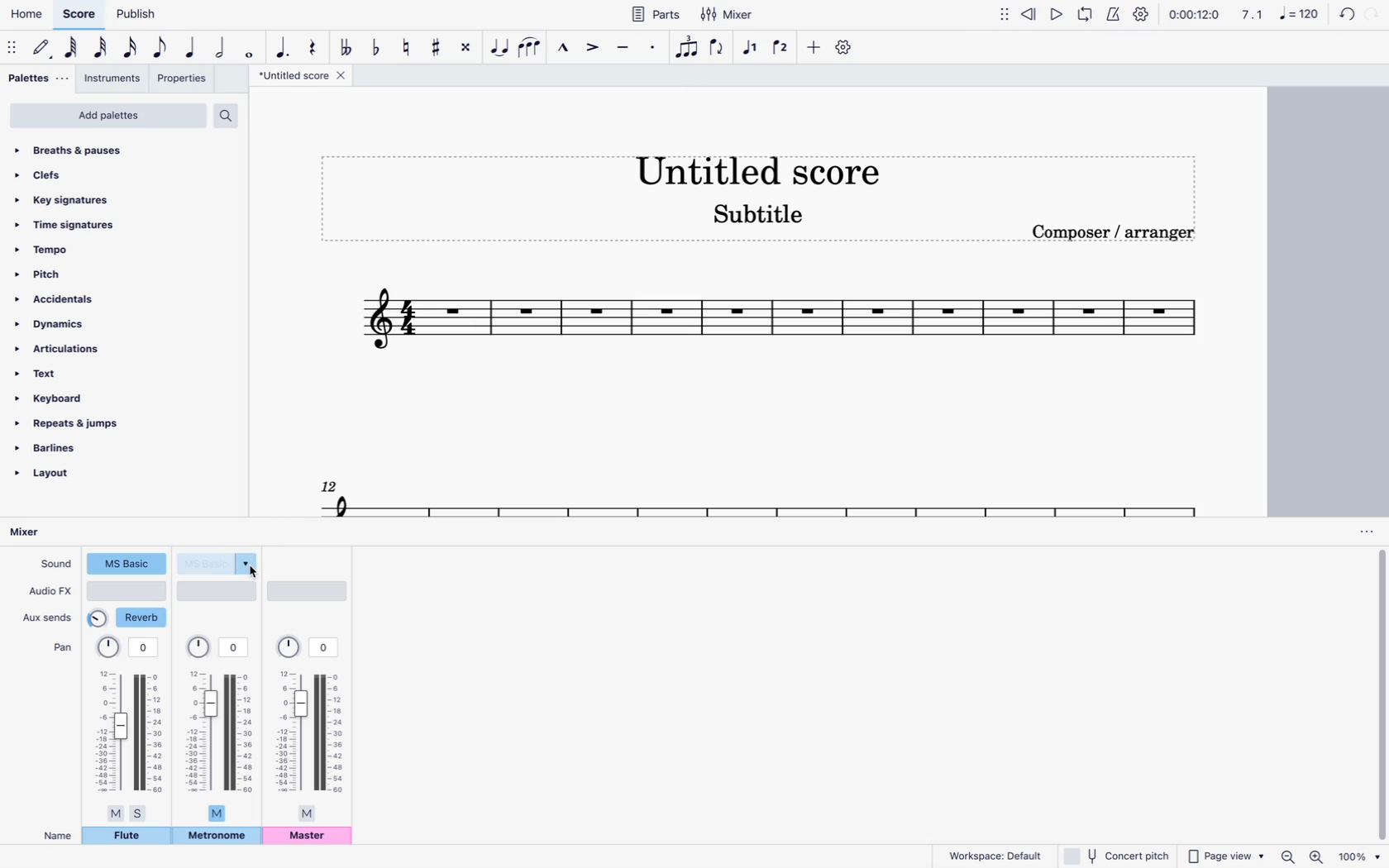  Describe the element at coordinates (1086, 17) in the screenshot. I see `loop playback` at that location.